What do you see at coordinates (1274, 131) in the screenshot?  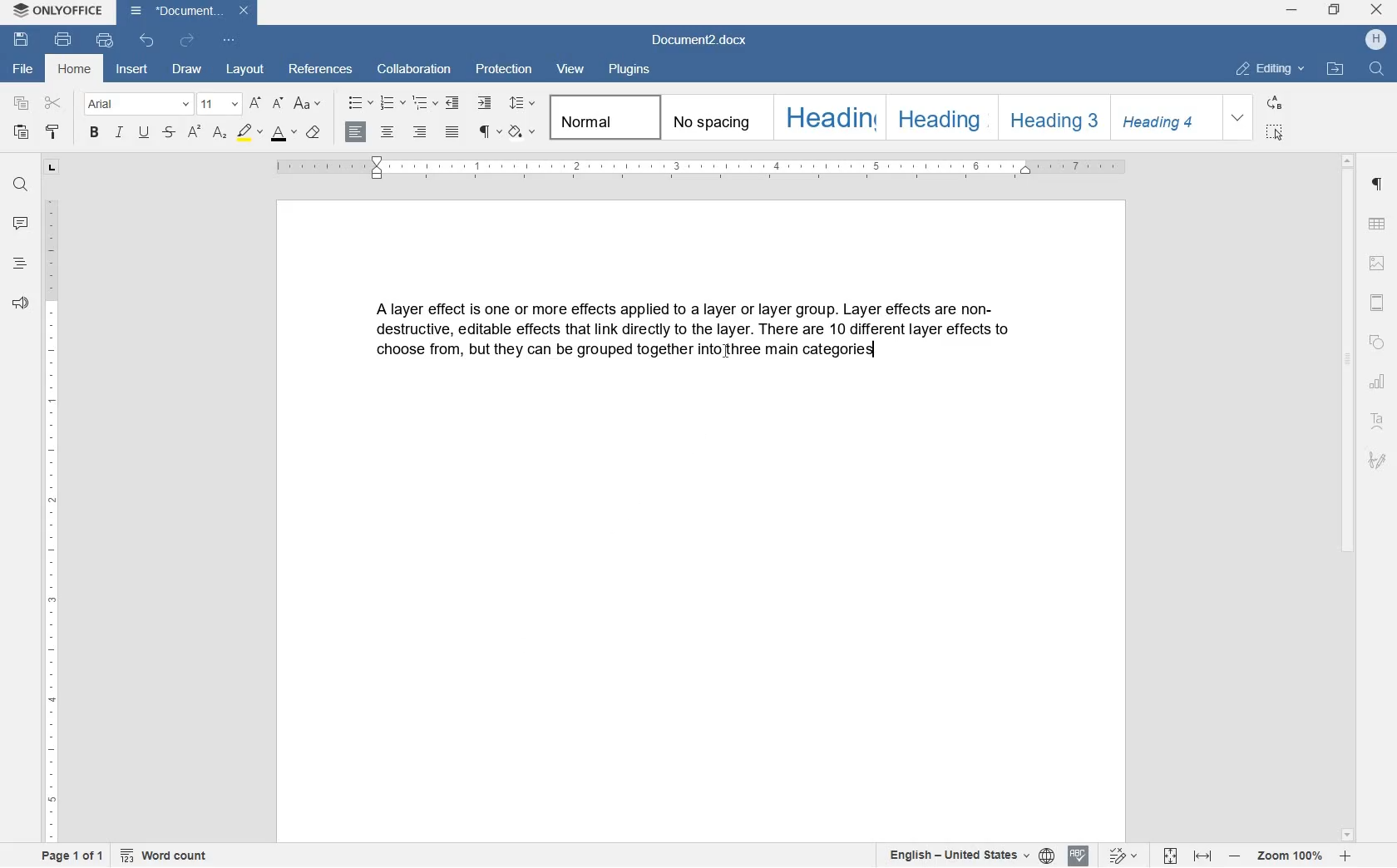 I see `select all ` at bounding box center [1274, 131].